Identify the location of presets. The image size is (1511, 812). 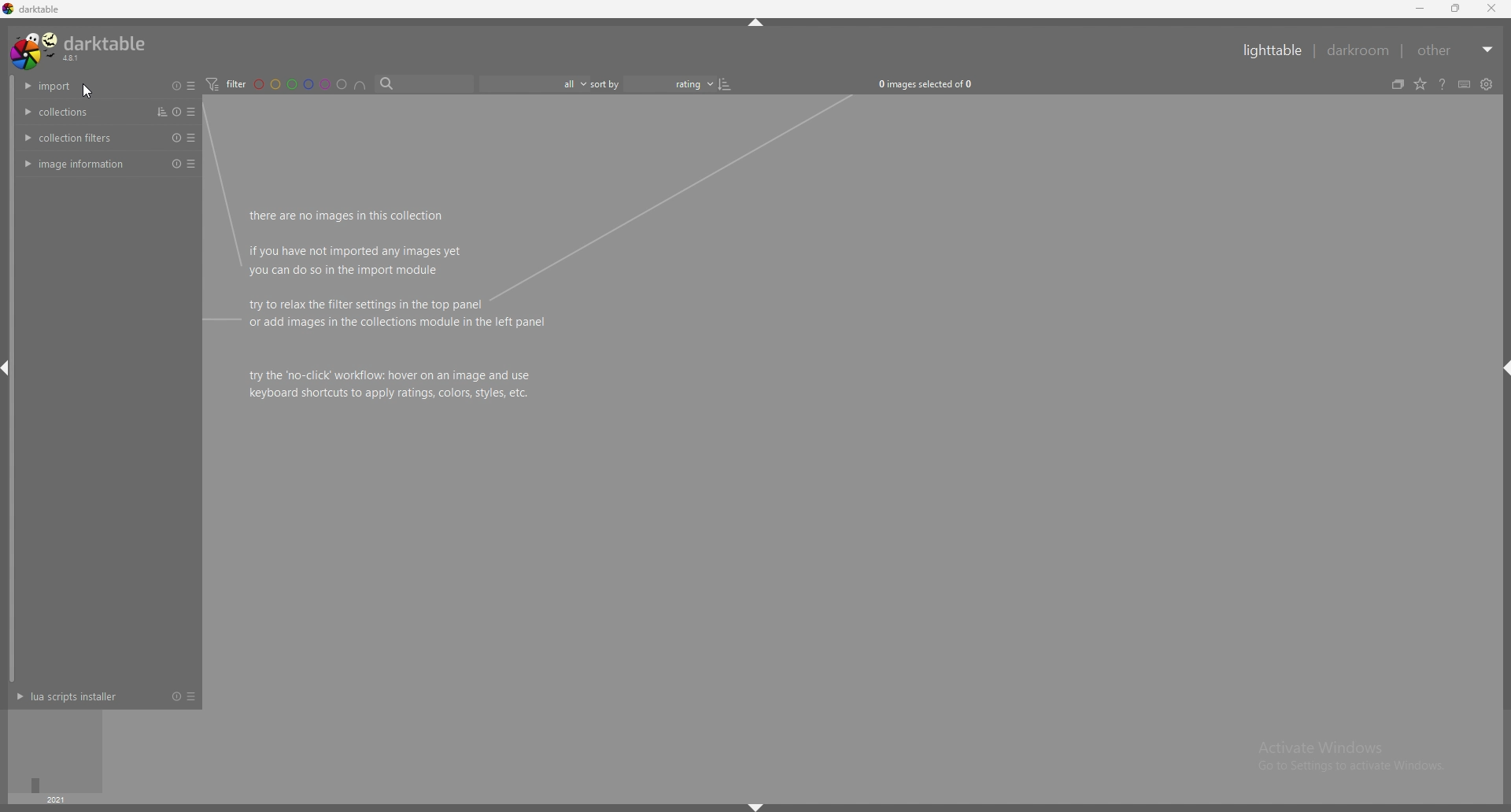
(190, 86).